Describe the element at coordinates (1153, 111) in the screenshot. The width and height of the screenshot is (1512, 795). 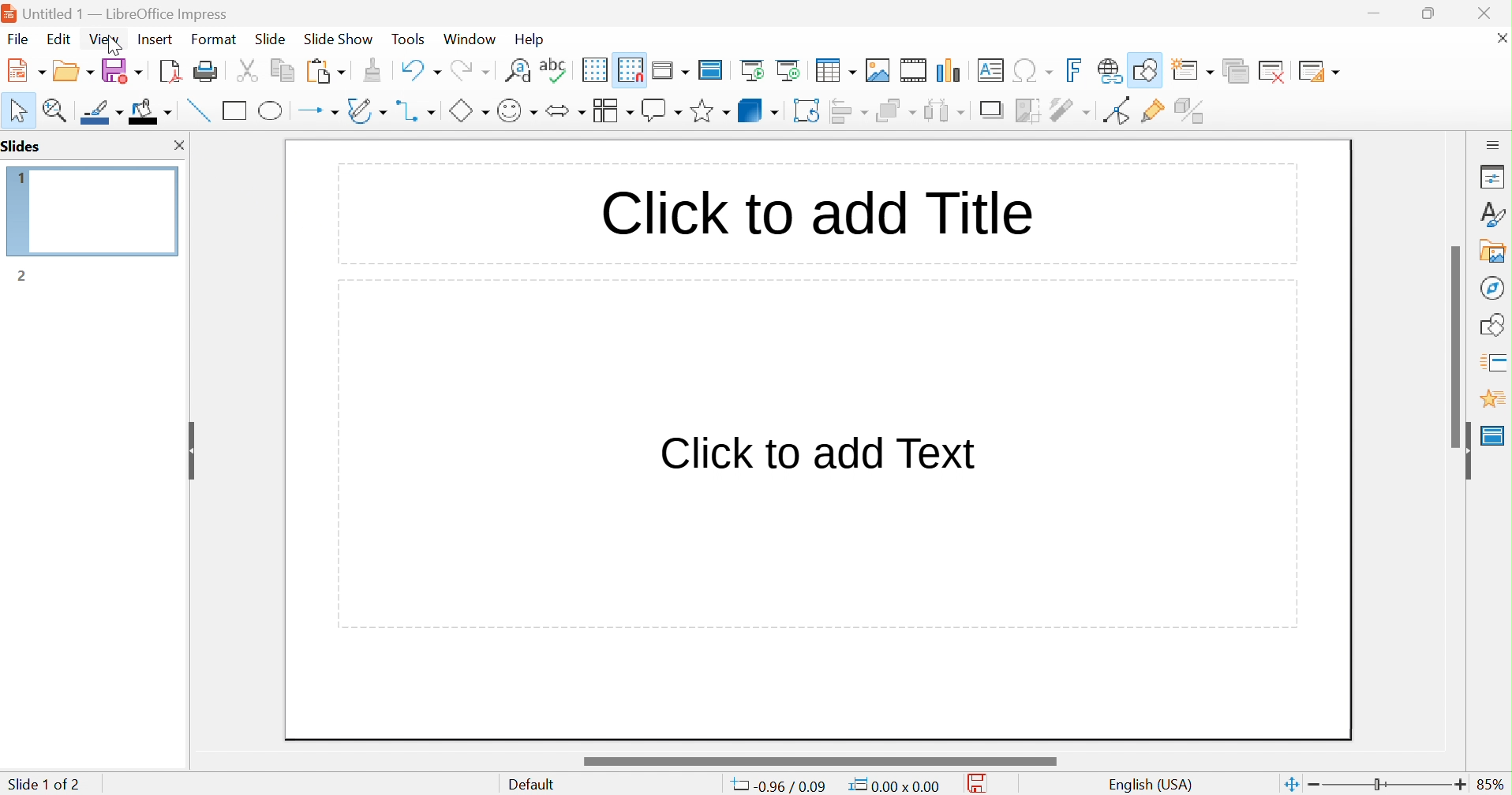
I see `show gluepoint functions` at that location.